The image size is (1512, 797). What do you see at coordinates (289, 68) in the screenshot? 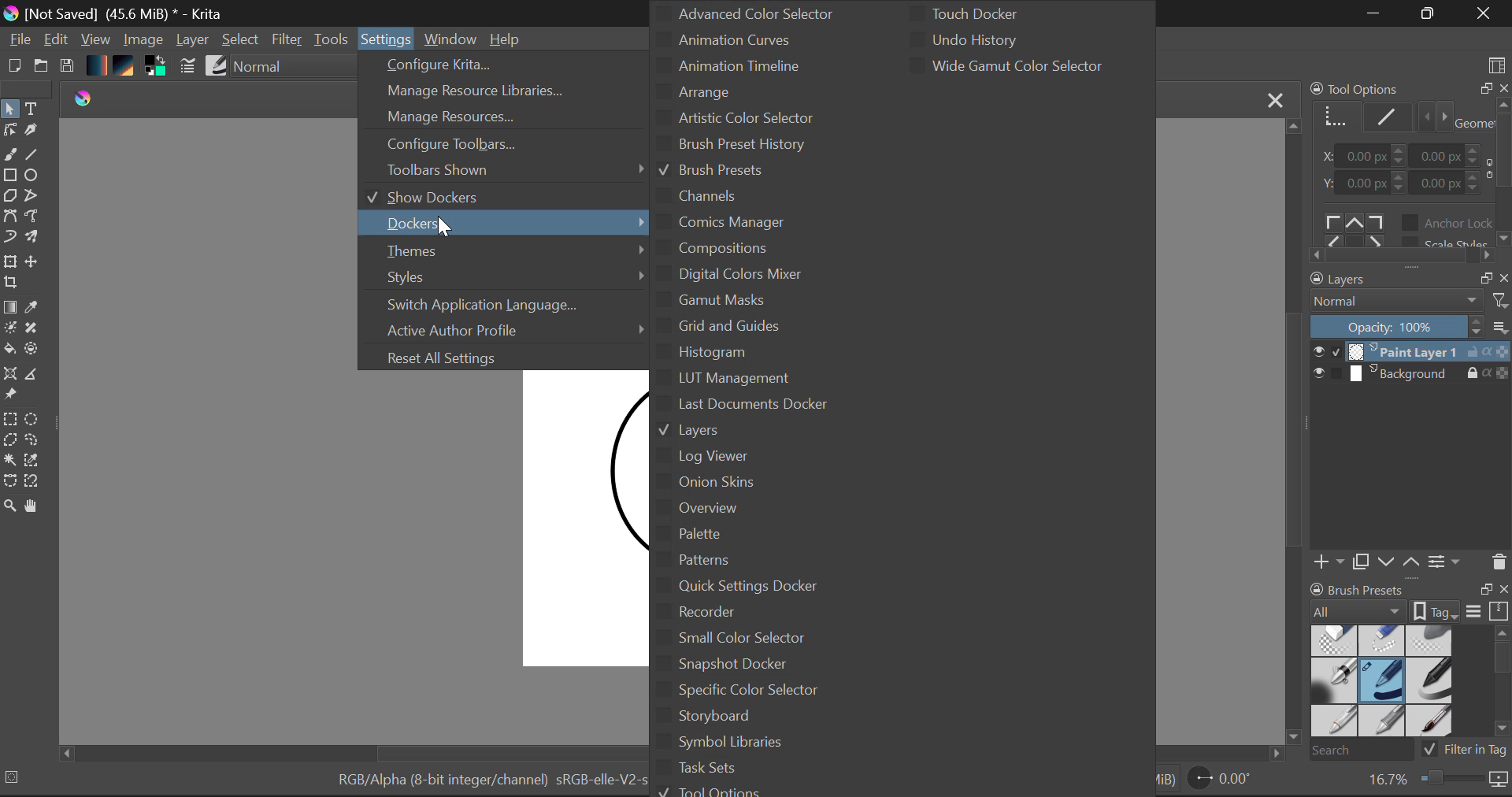
I see `Blending Modes` at bounding box center [289, 68].